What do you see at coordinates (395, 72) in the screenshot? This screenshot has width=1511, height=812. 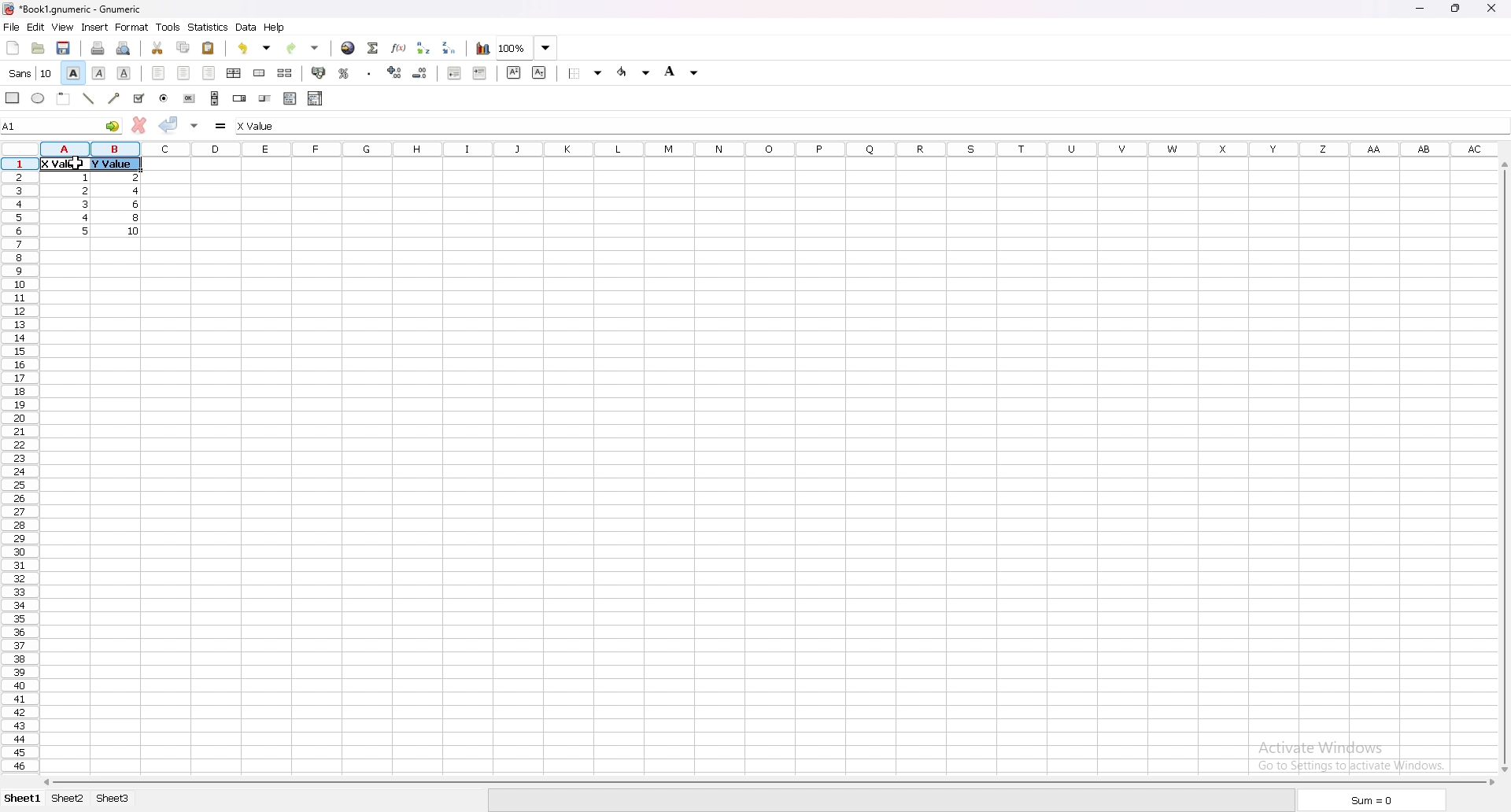 I see `increase decimals` at bounding box center [395, 72].